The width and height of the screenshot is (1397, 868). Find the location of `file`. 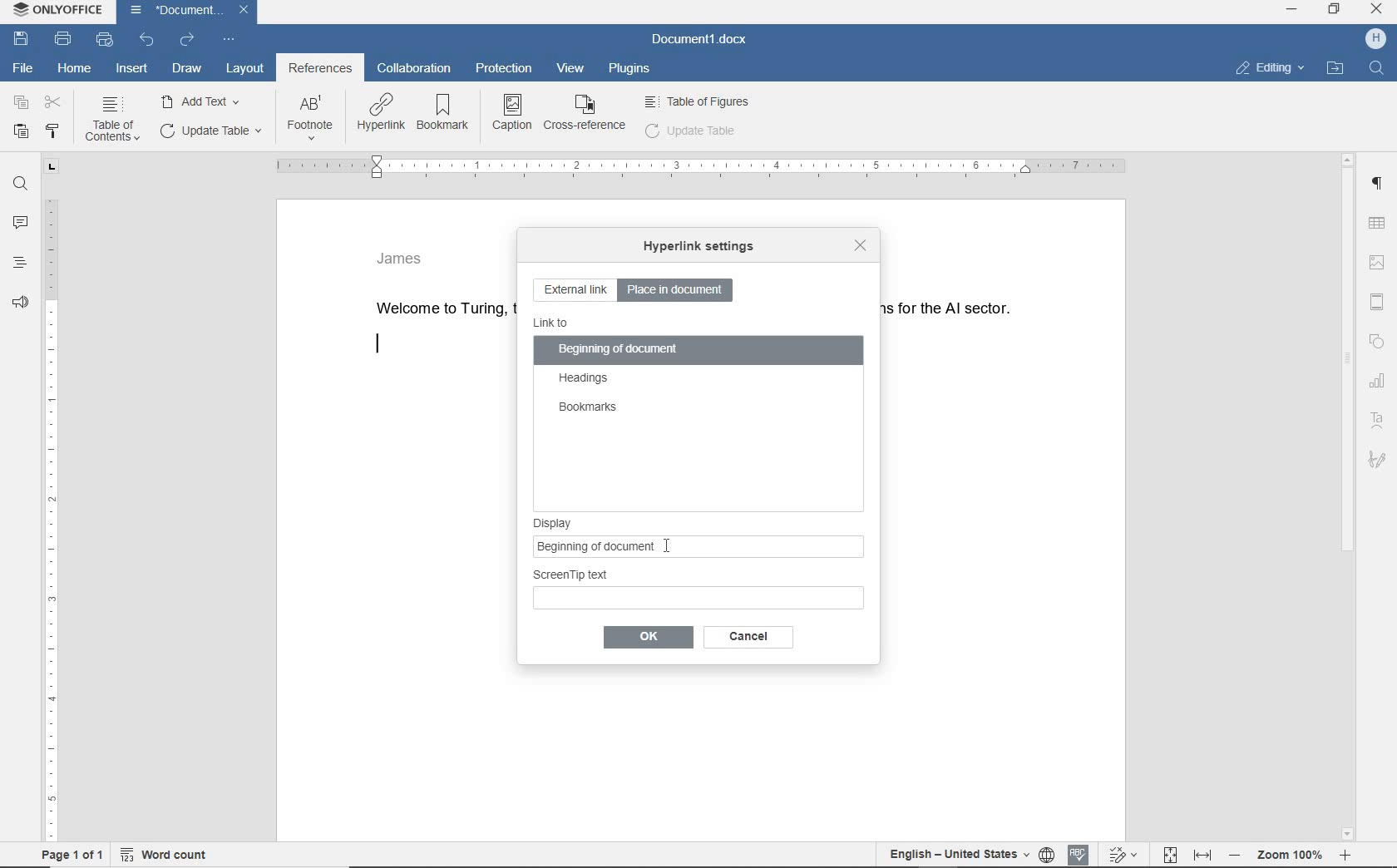

file is located at coordinates (23, 68).